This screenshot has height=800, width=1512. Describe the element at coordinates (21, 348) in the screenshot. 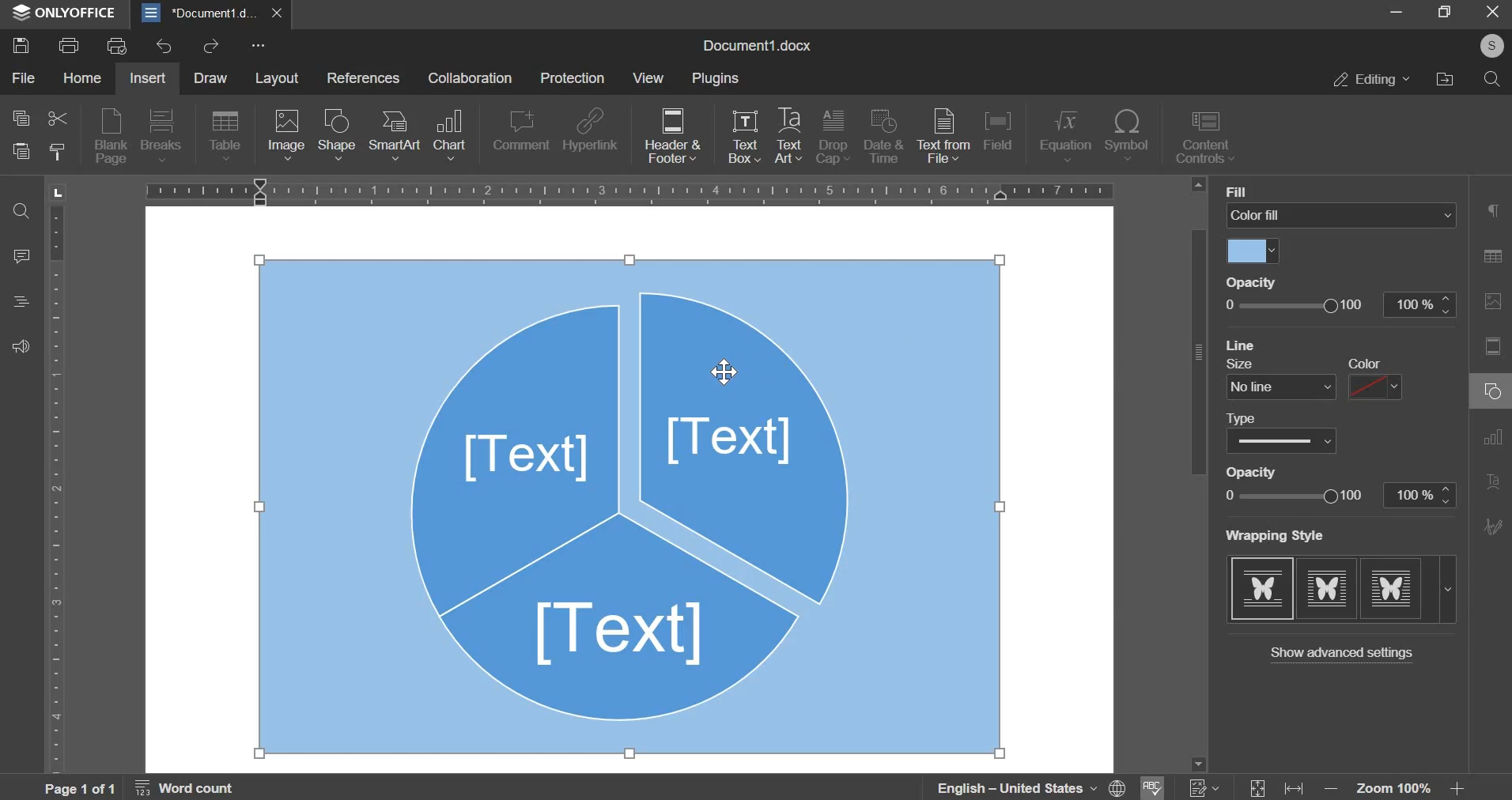

I see `Contact support team` at that location.